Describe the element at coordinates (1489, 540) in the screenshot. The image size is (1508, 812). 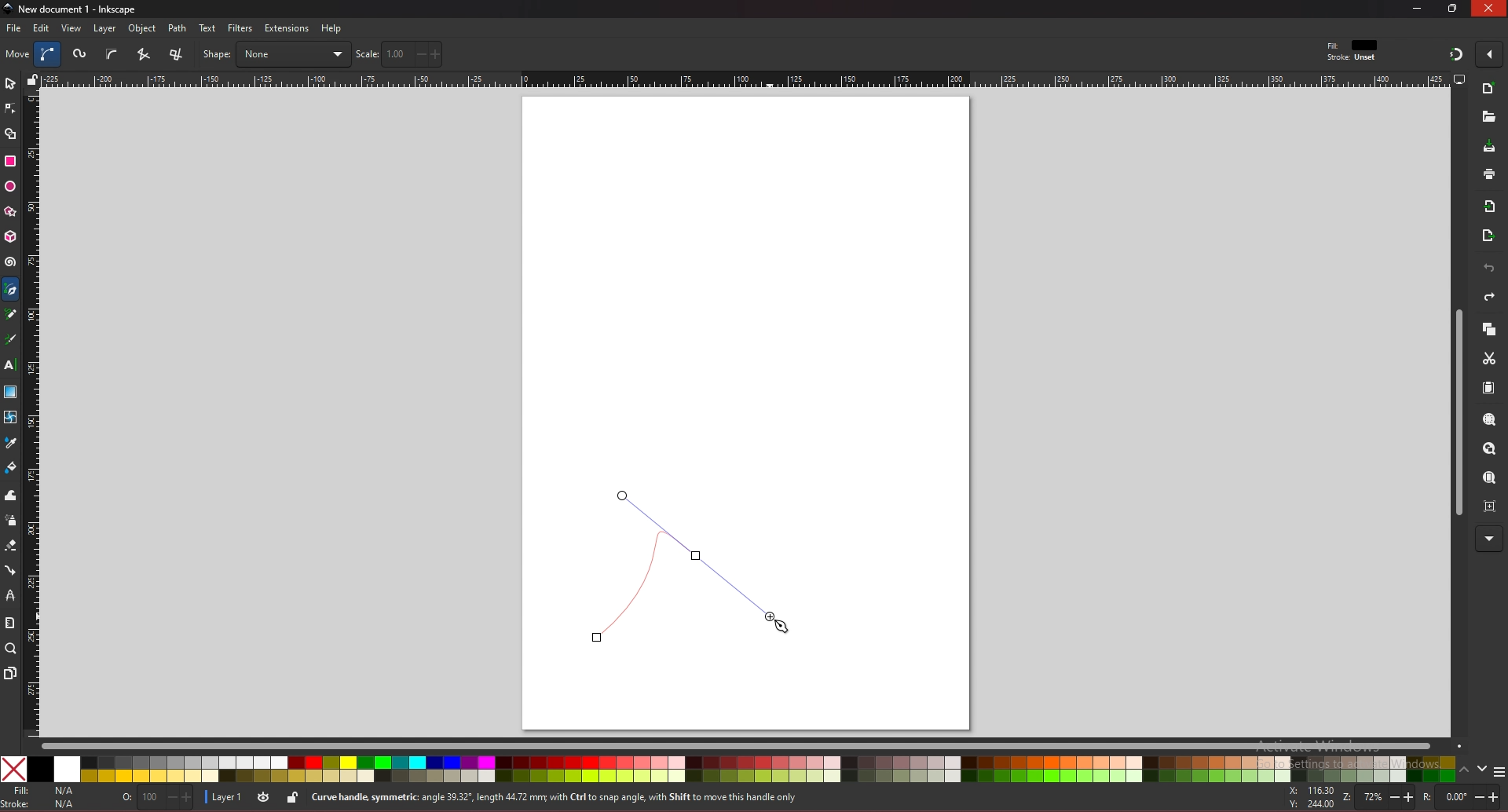
I see `more` at that location.